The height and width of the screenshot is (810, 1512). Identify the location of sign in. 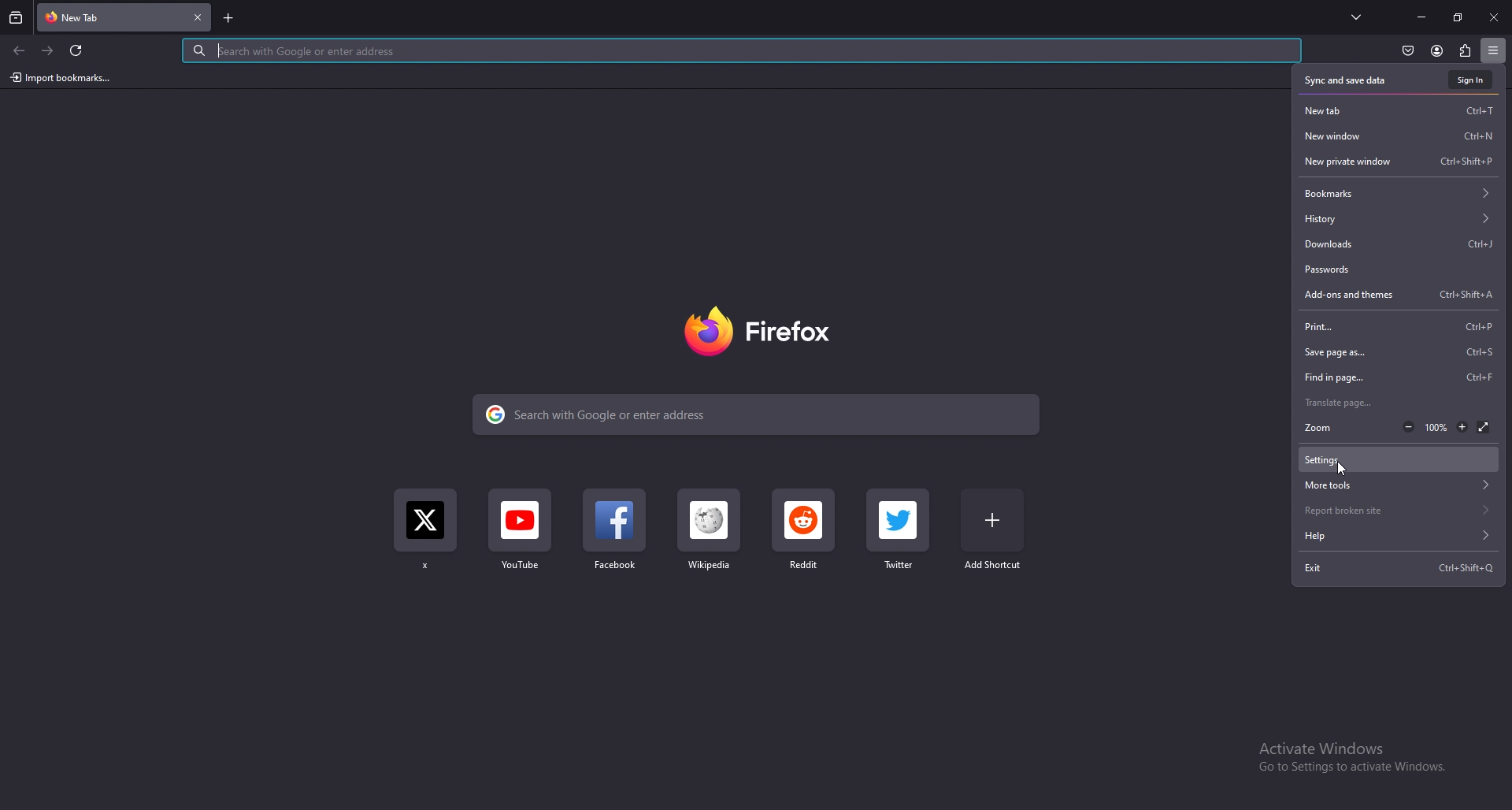
(1469, 80).